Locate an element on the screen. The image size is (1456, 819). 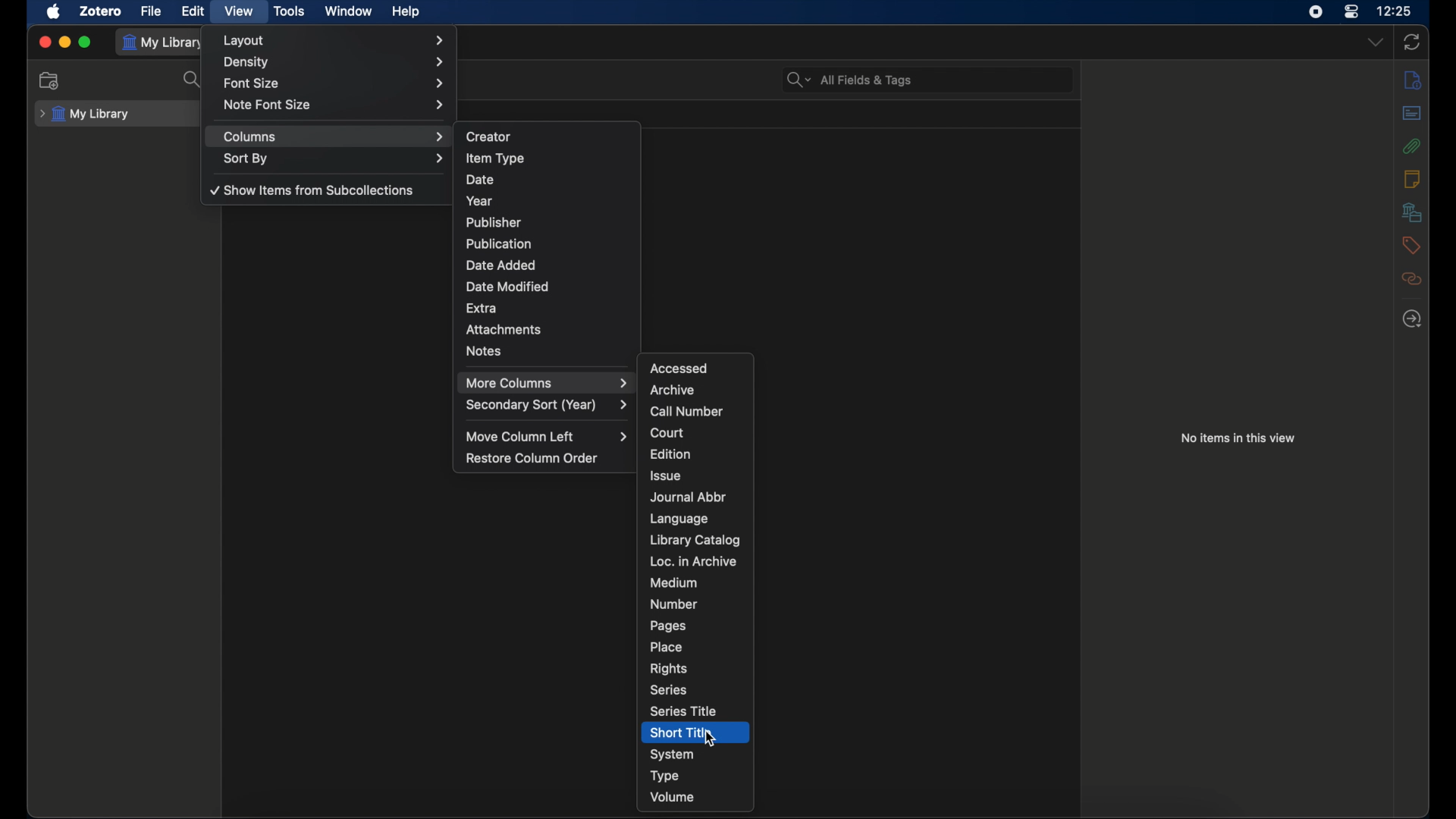
maximize is located at coordinates (86, 42).